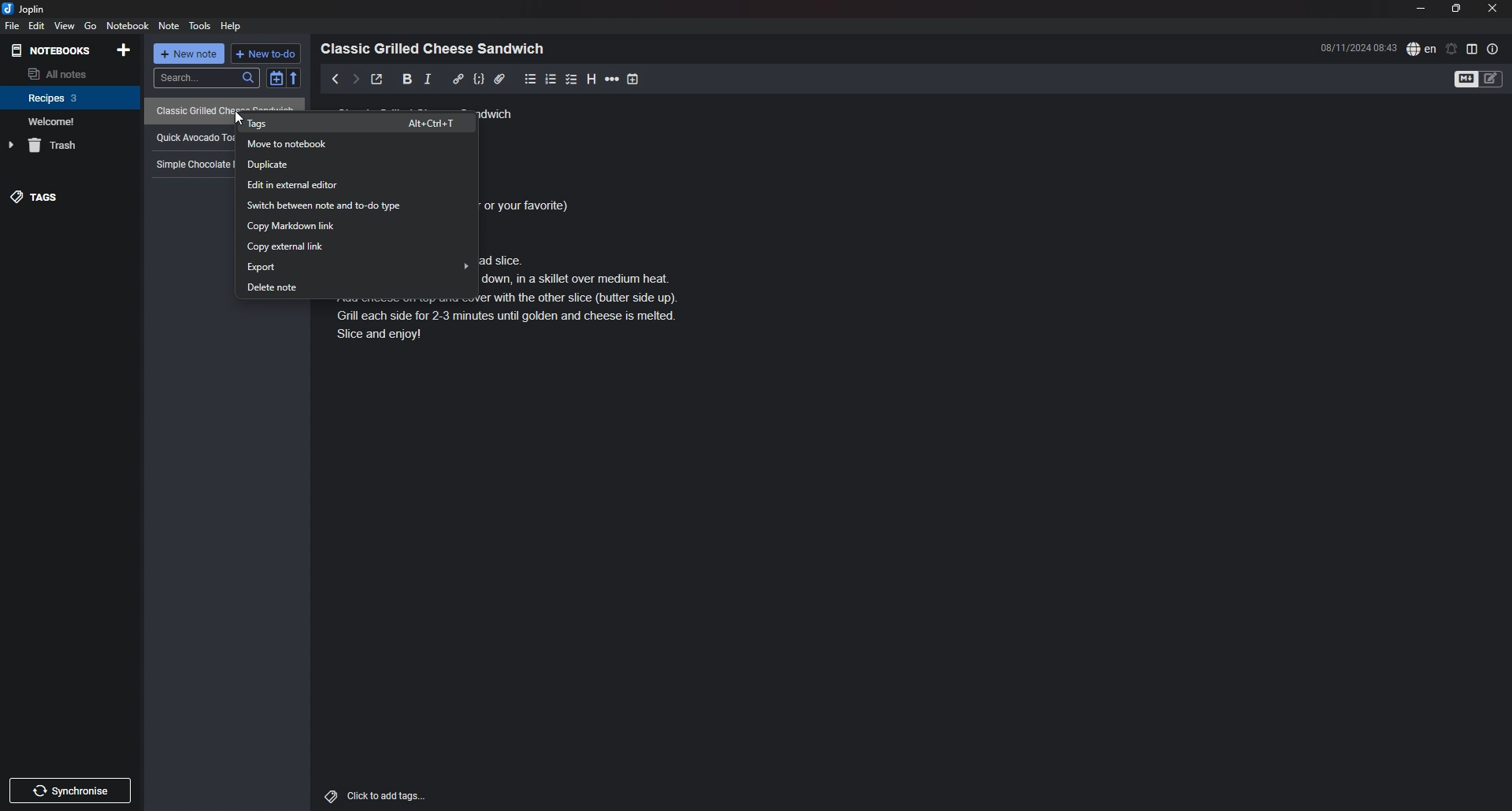  Describe the element at coordinates (437, 49) in the screenshot. I see `heading` at that location.